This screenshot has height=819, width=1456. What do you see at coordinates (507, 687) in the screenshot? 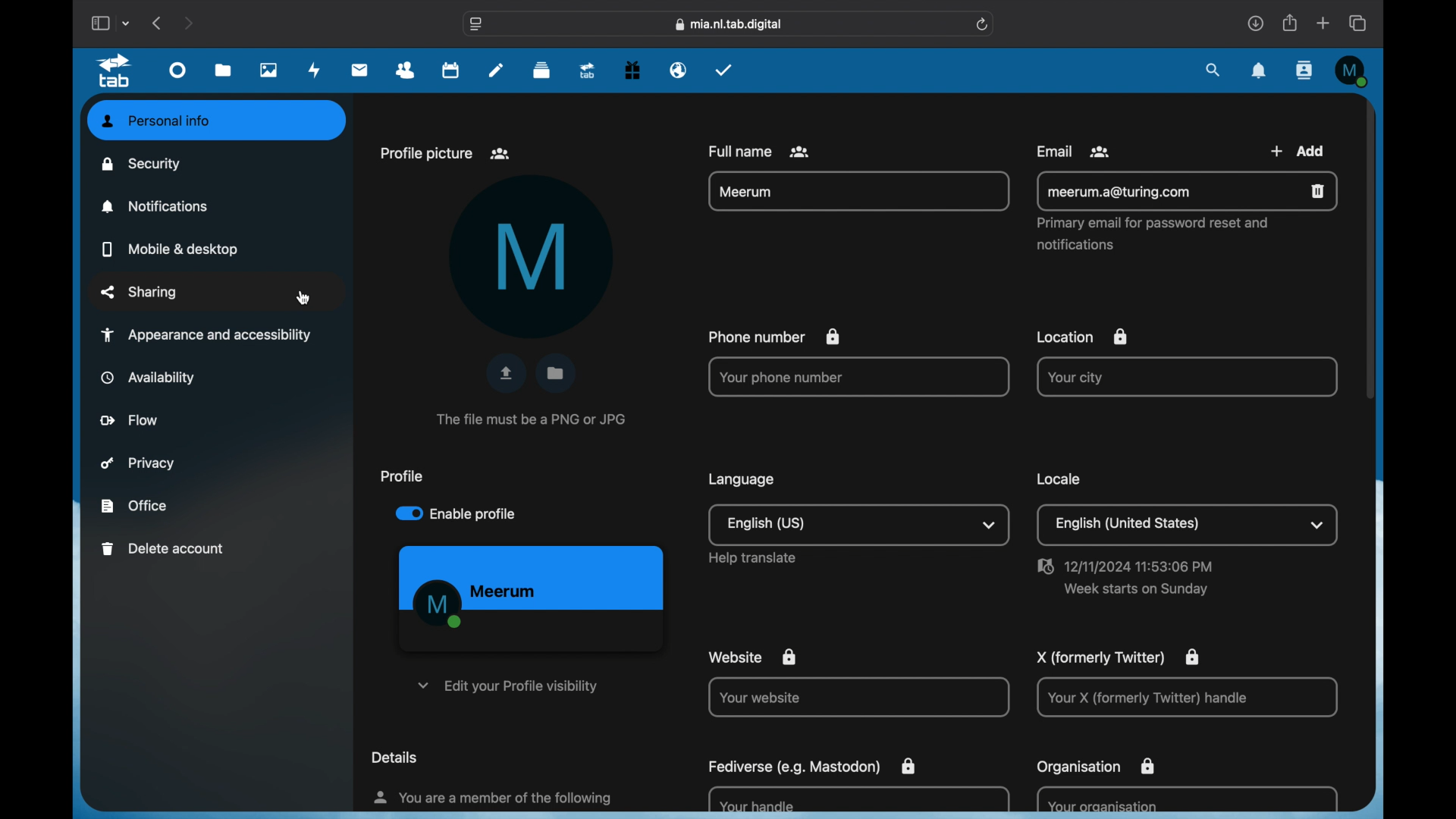
I see `edit your profile visibility` at bounding box center [507, 687].